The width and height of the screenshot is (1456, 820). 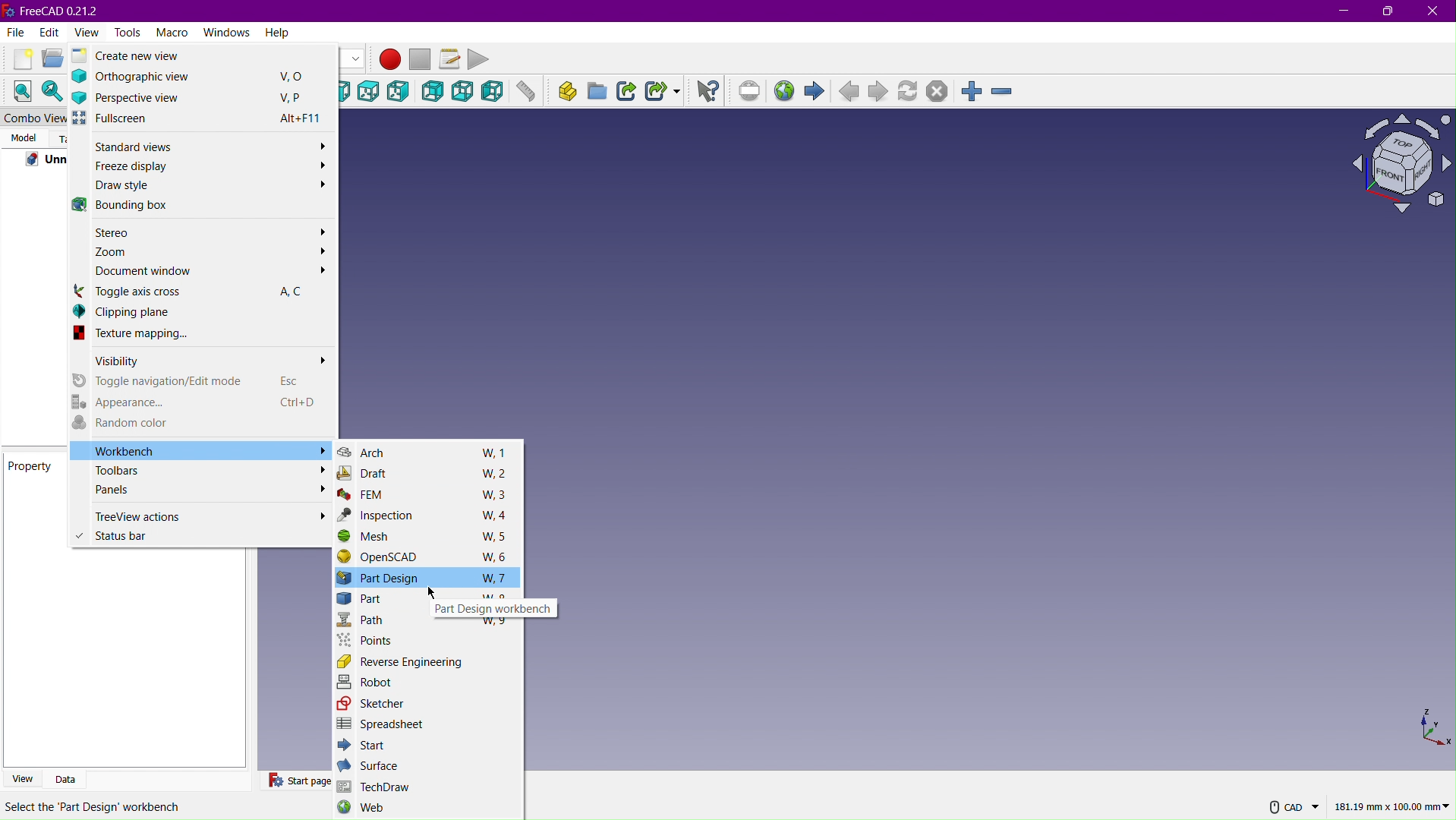 I want to click on Points, so click(x=366, y=642).